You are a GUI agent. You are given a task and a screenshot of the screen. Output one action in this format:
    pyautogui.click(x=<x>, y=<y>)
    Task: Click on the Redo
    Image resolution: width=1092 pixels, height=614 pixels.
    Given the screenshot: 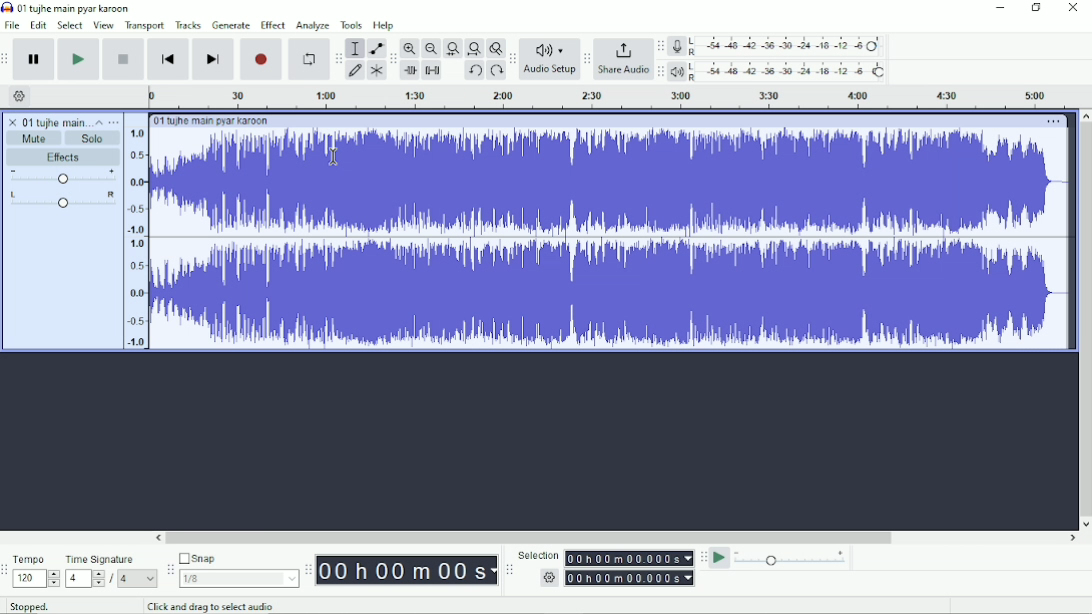 What is the action you would take?
    pyautogui.click(x=496, y=71)
    